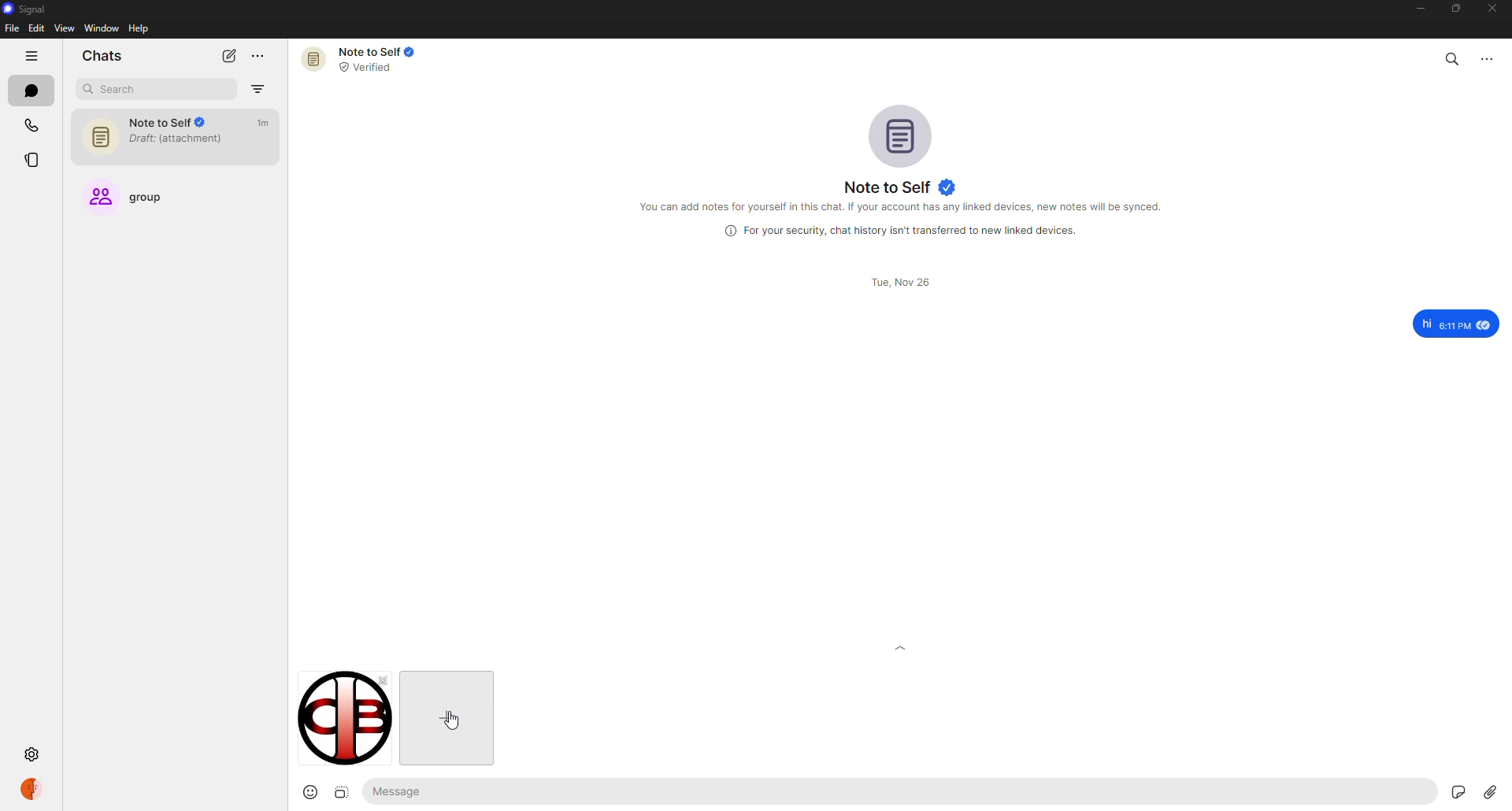  Describe the element at coordinates (1451, 57) in the screenshot. I see `search` at that location.